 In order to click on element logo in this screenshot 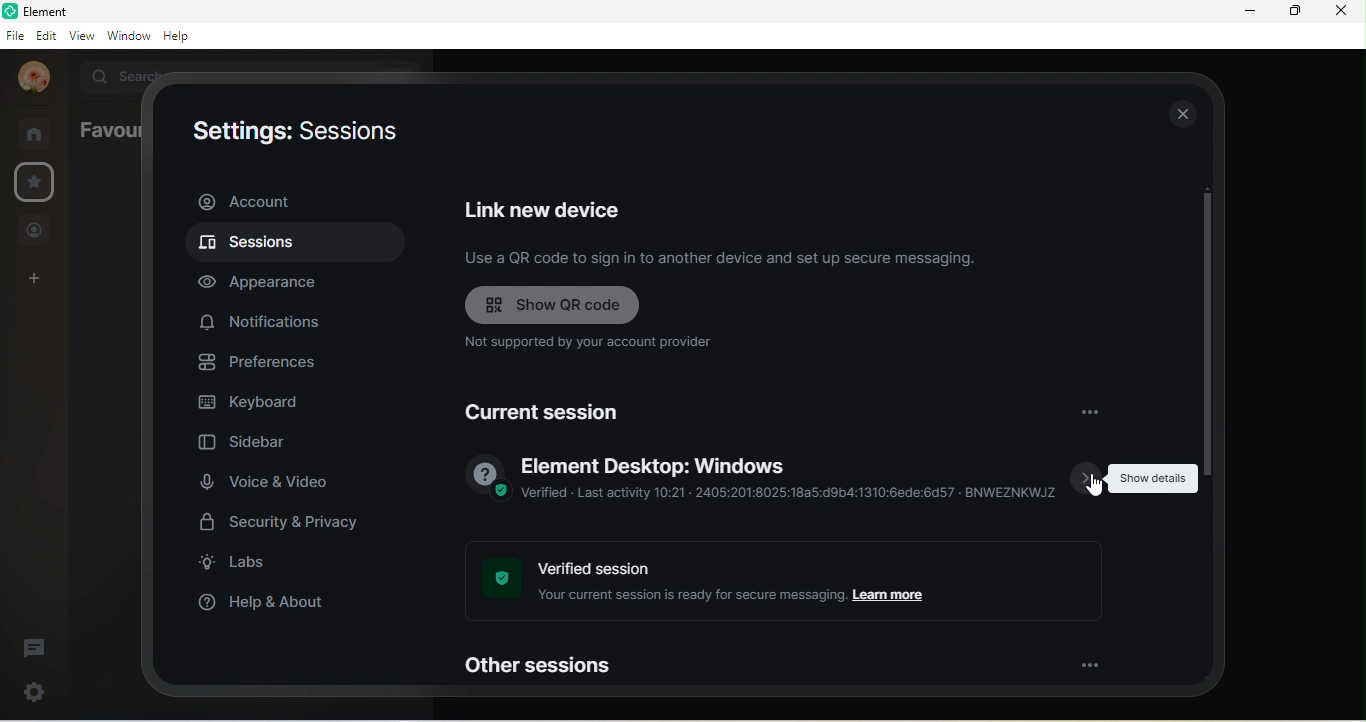, I will do `click(10, 11)`.